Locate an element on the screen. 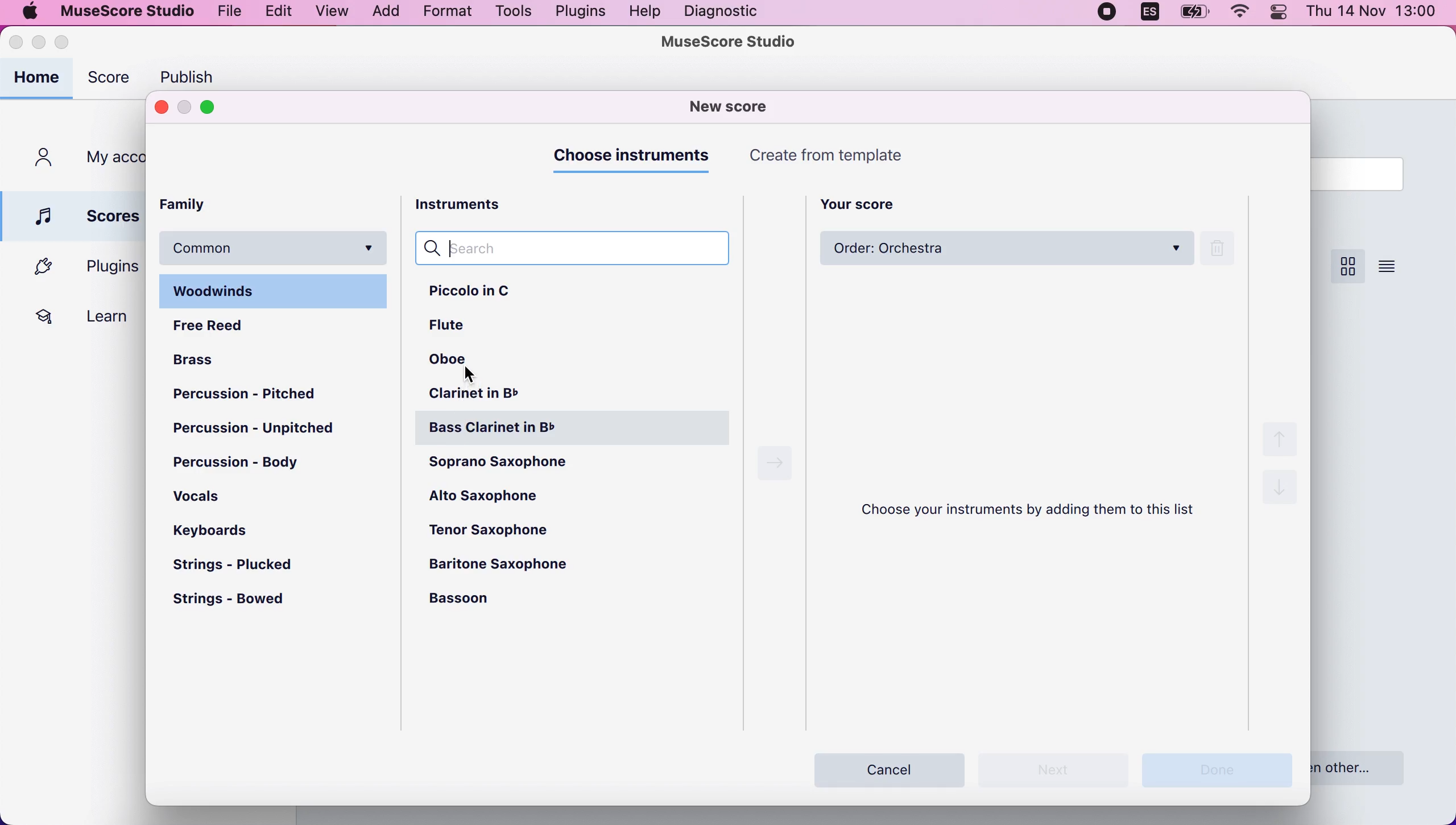  panel control is located at coordinates (1282, 18).